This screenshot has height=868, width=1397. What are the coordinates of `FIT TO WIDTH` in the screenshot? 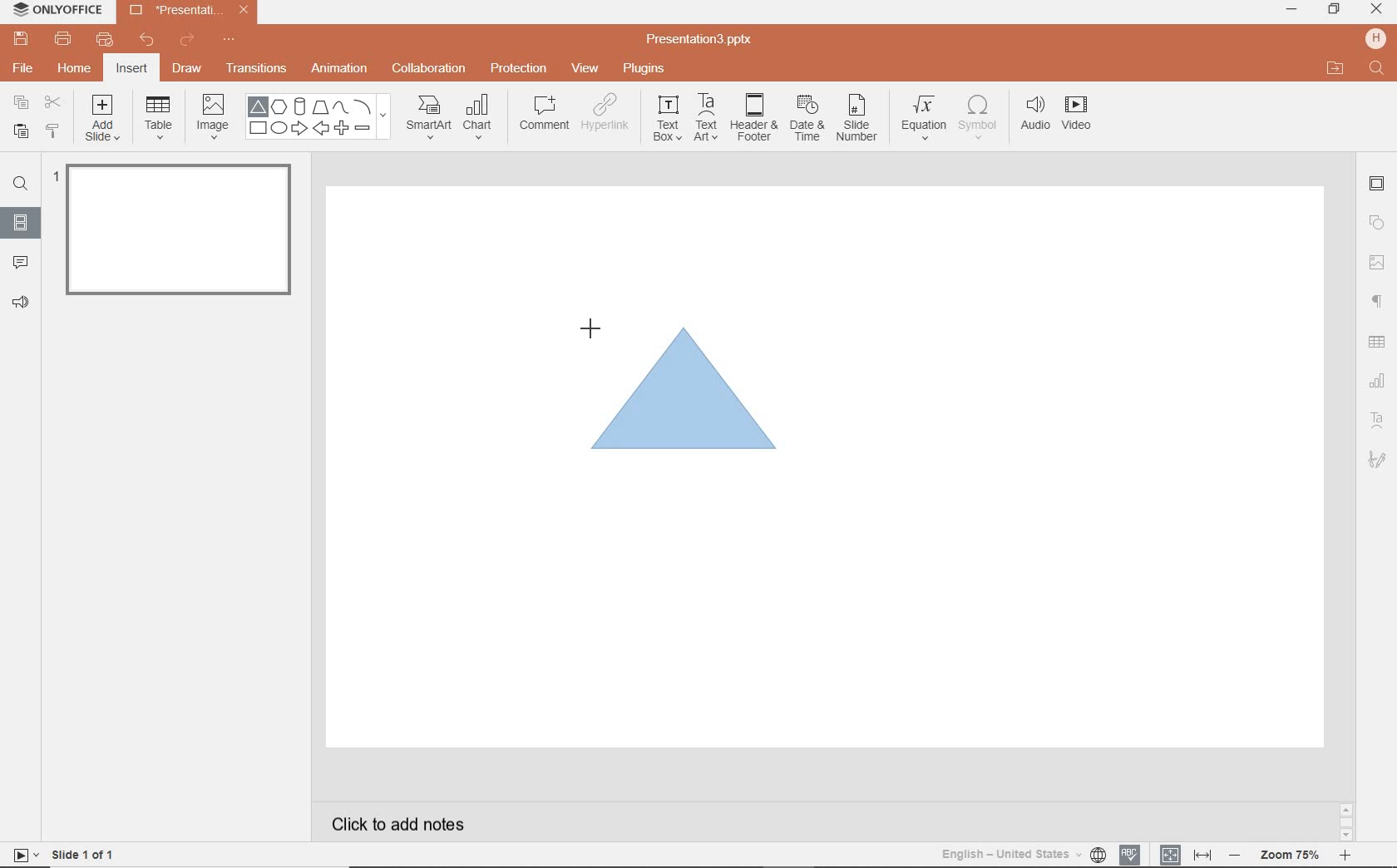 It's located at (1202, 856).